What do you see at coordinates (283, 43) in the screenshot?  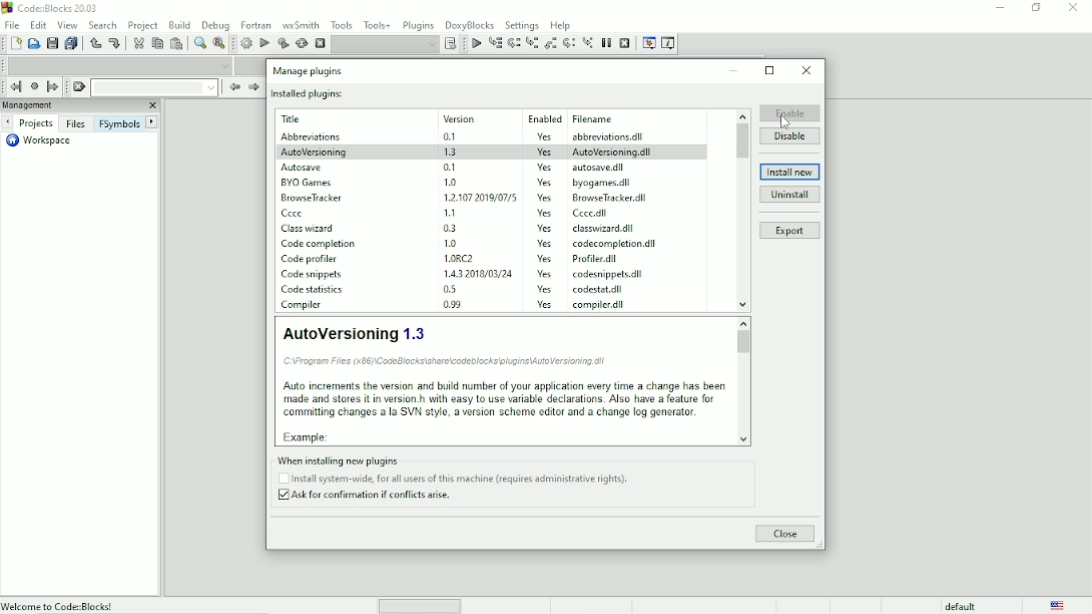 I see `Build and run` at bounding box center [283, 43].